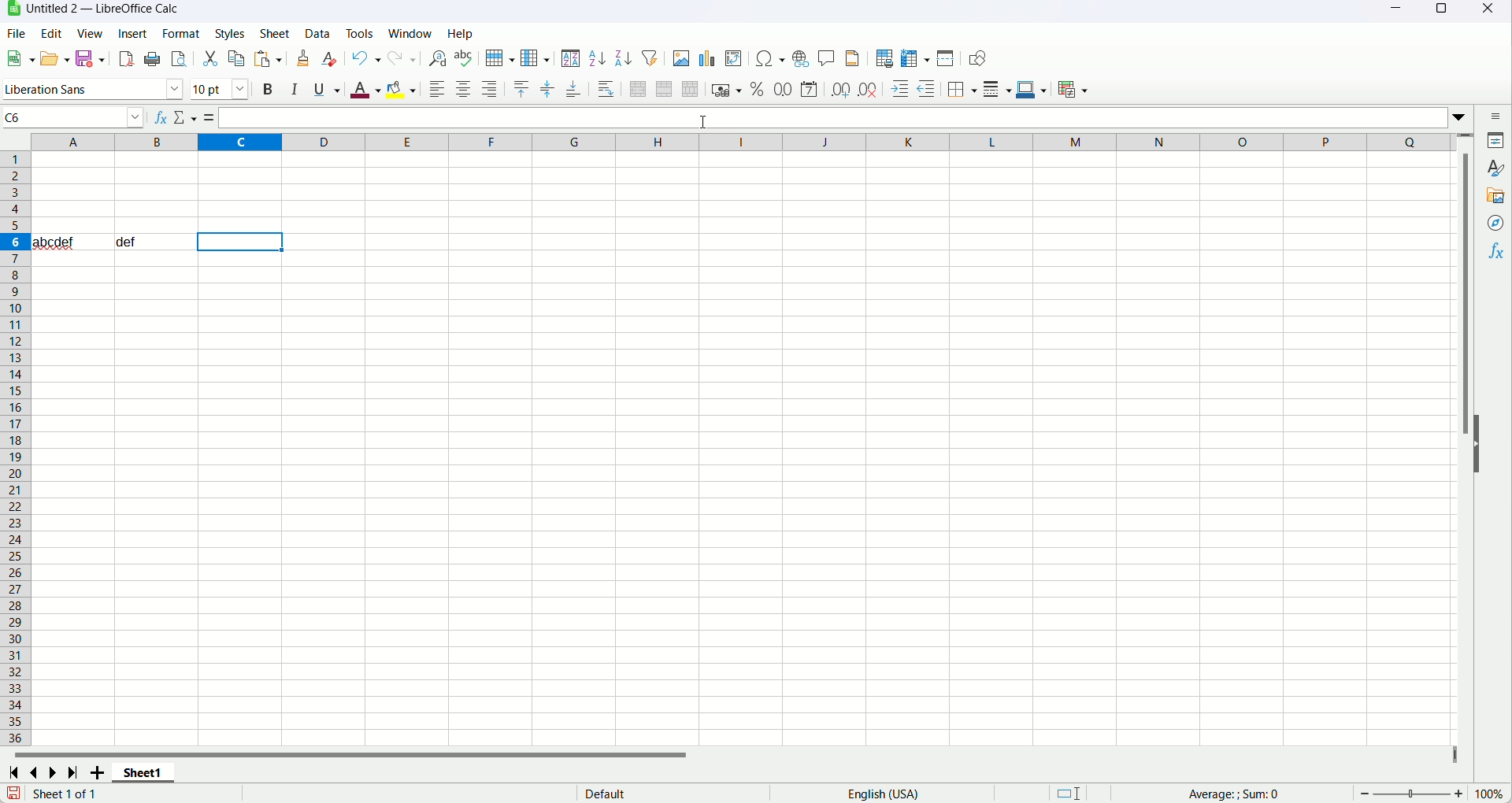 This screenshot has height=803, width=1512. Describe the element at coordinates (1494, 253) in the screenshot. I see `functions` at that location.